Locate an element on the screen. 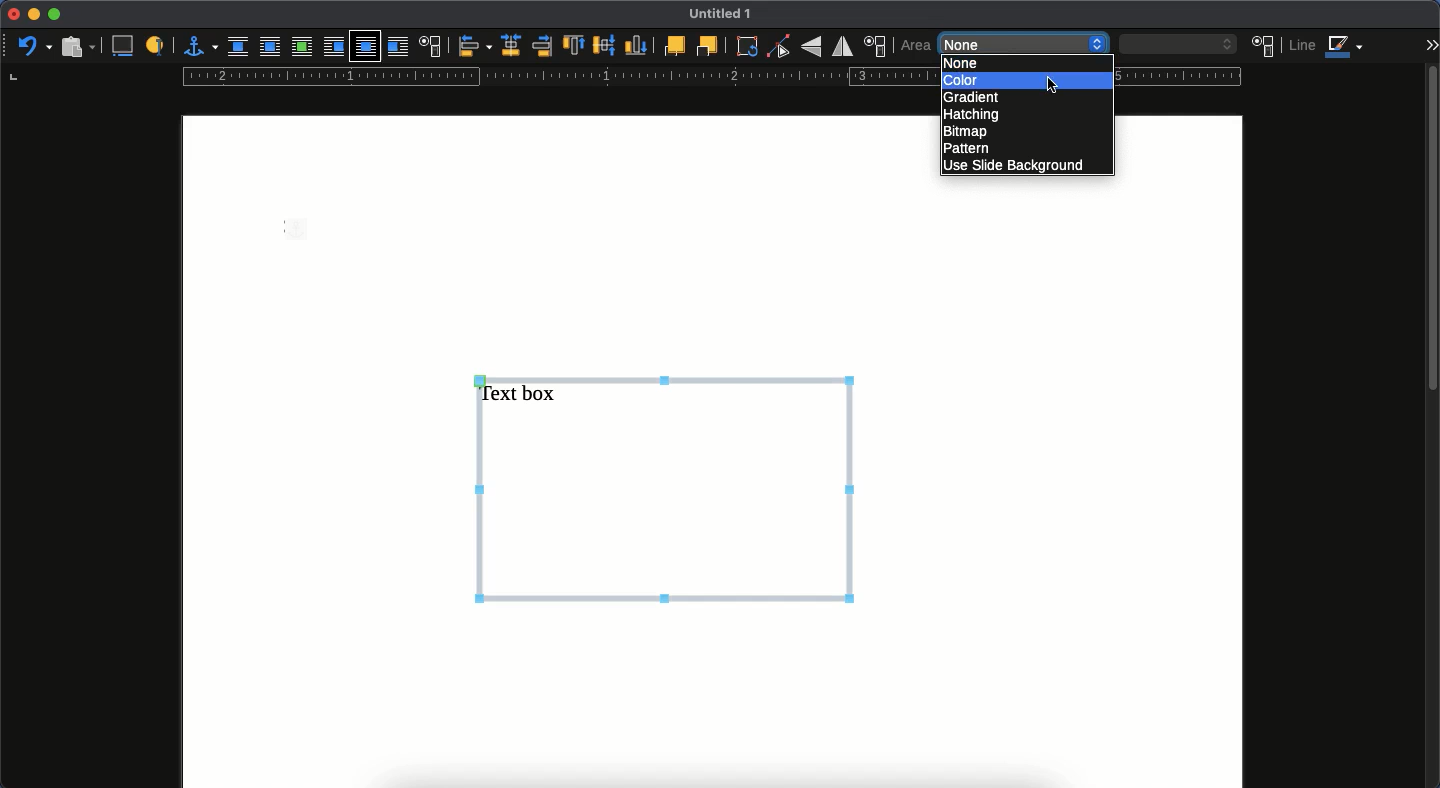 This screenshot has height=788, width=1440. bottom is located at coordinates (637, 46).